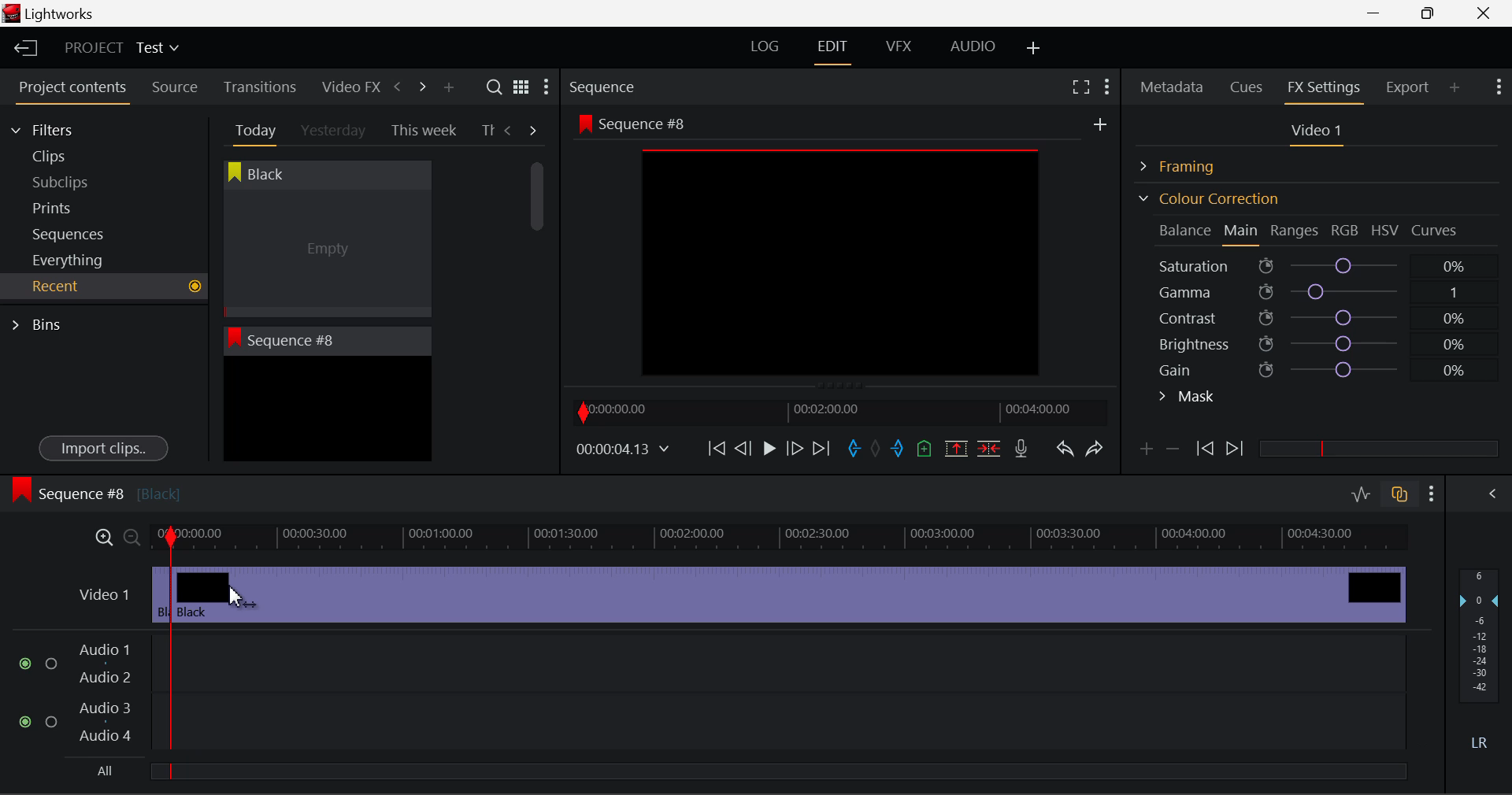  I want to click on Mark Cue, so click(923, 449).